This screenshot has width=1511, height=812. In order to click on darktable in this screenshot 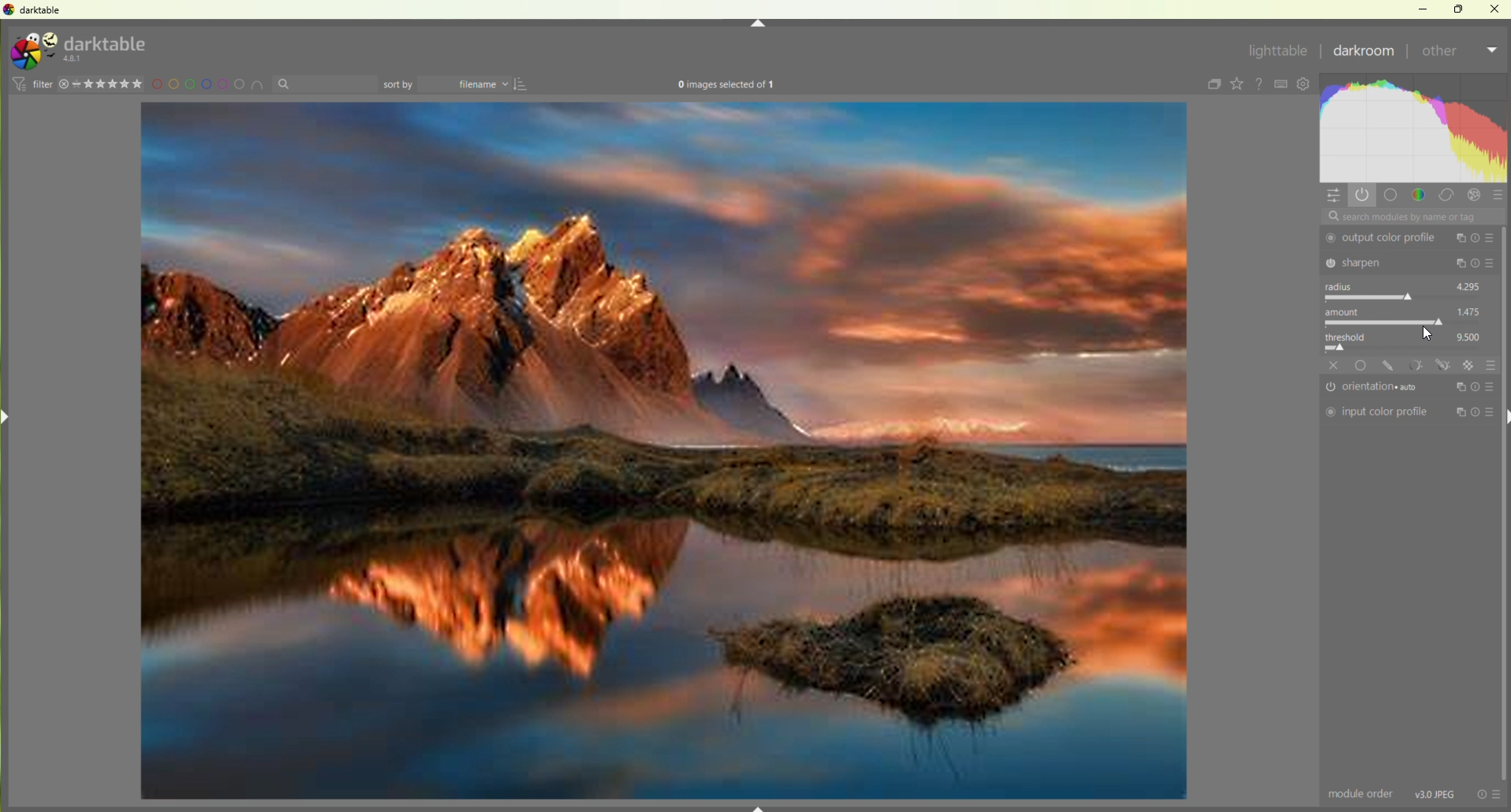, I will do `click(107, 42)`.